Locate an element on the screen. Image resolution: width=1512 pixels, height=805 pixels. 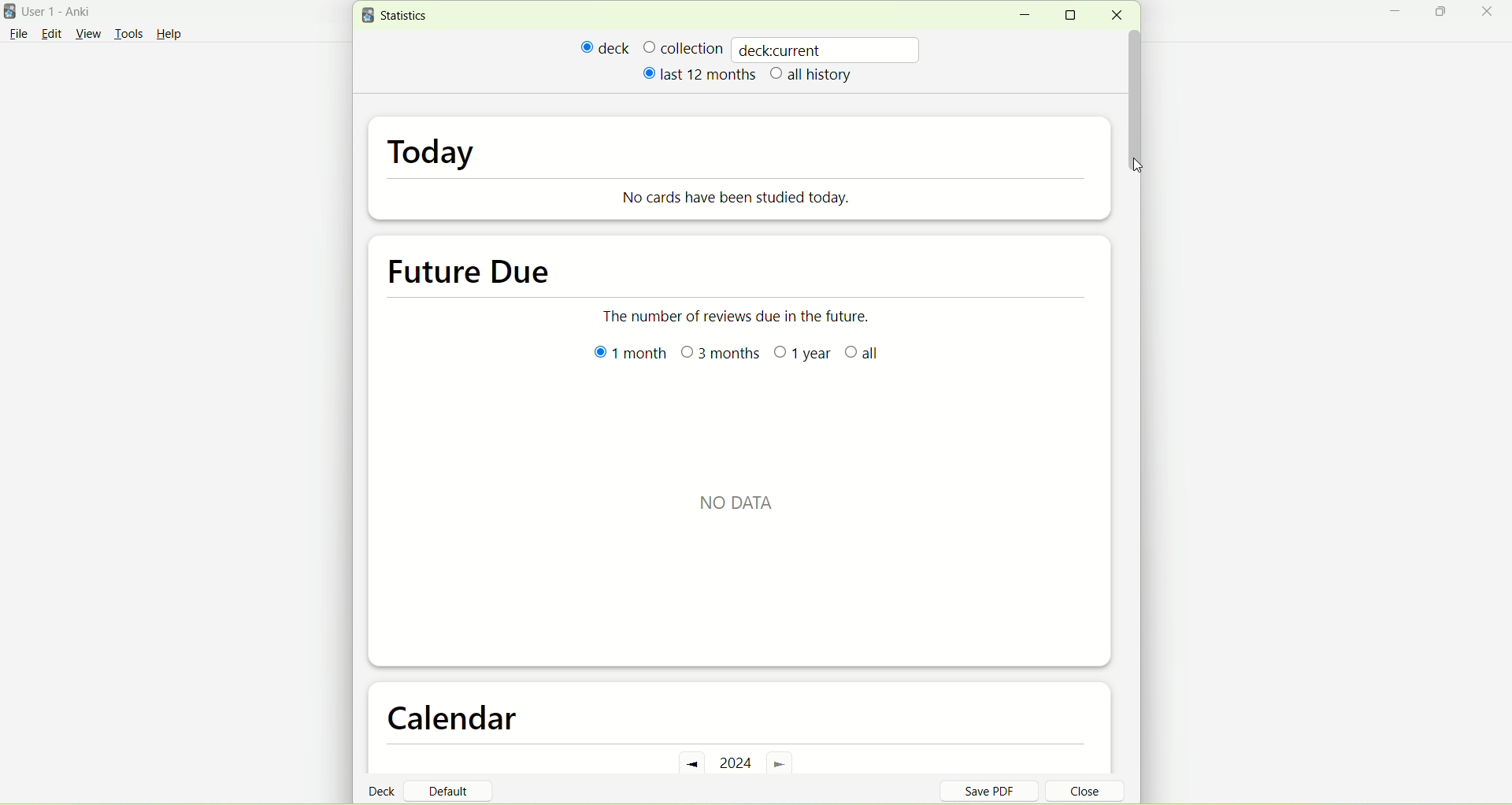
minimize is located at coordinates (1399, 13).